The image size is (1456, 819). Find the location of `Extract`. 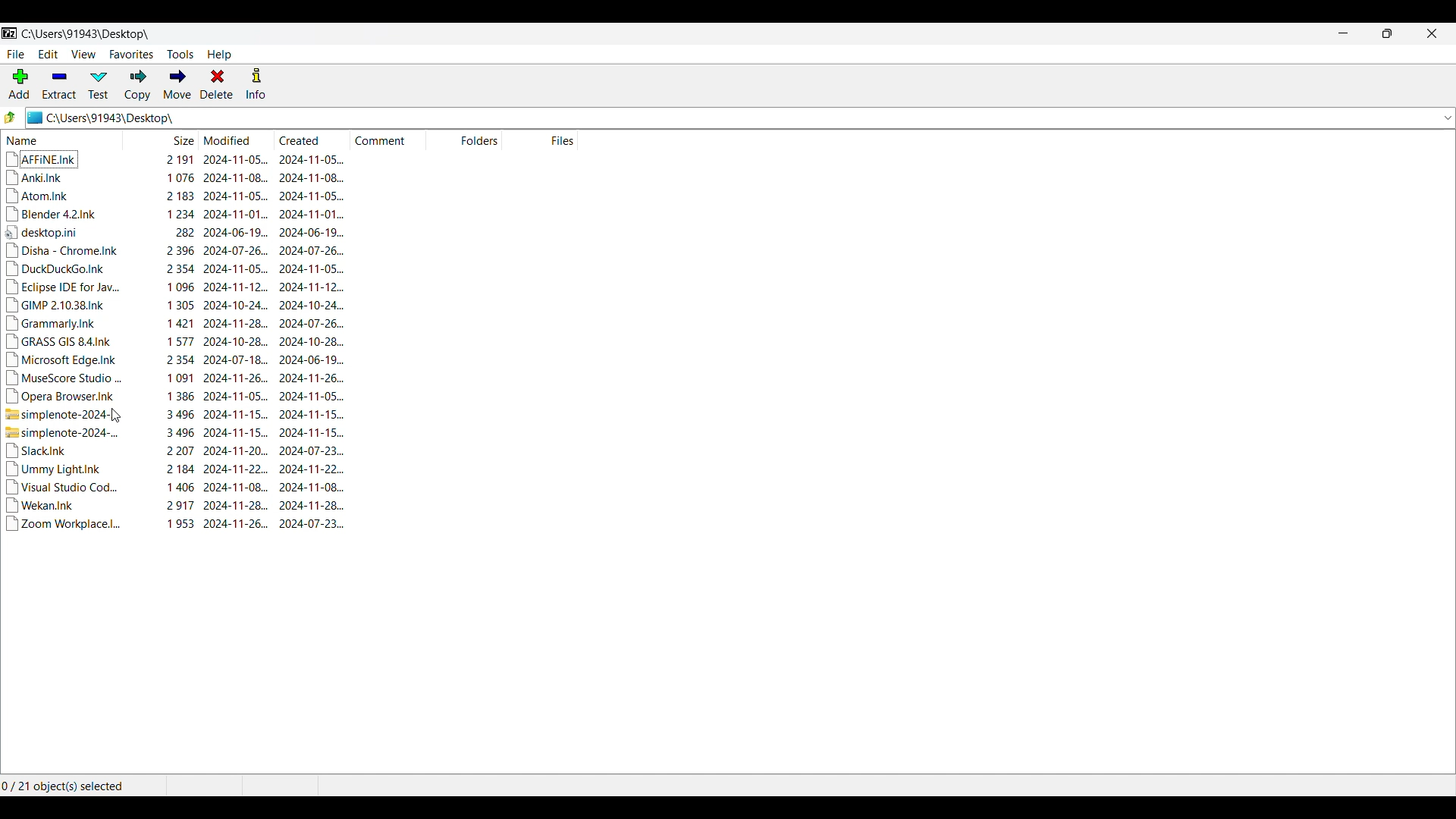

Extract is located at coordinates (60, 84).